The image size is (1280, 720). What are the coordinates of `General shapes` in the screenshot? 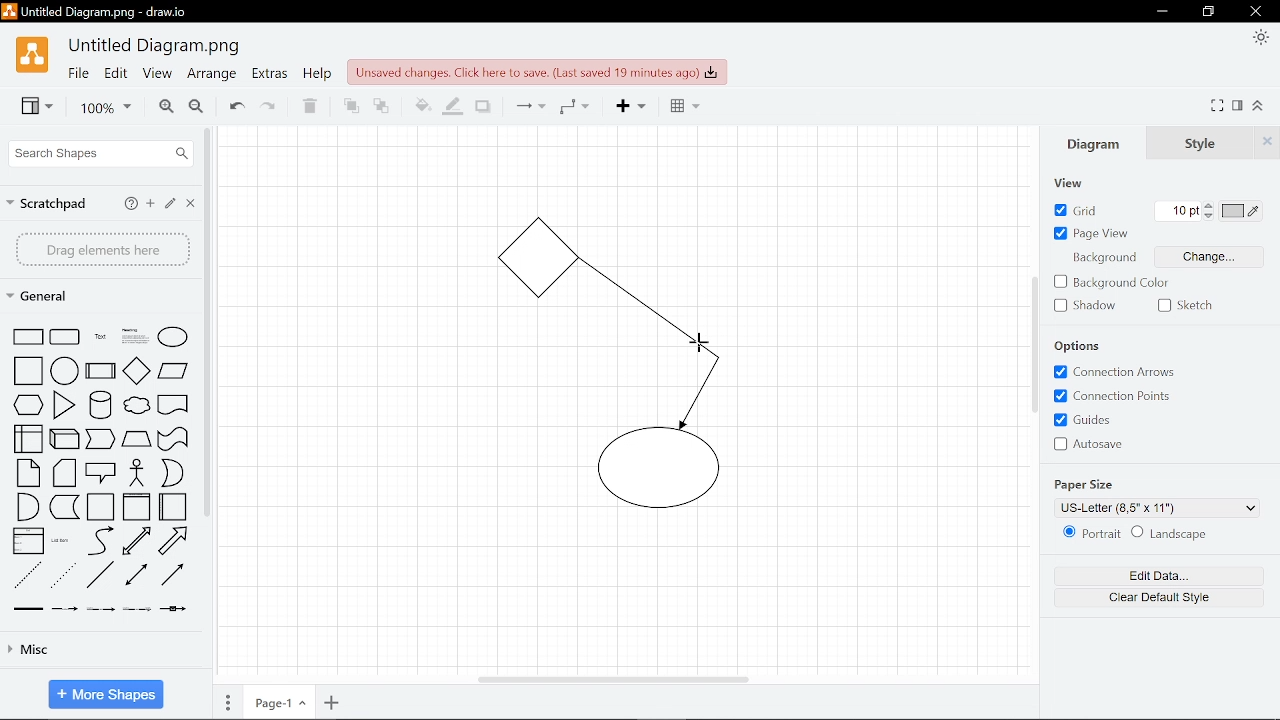 It's located at (49, 297).